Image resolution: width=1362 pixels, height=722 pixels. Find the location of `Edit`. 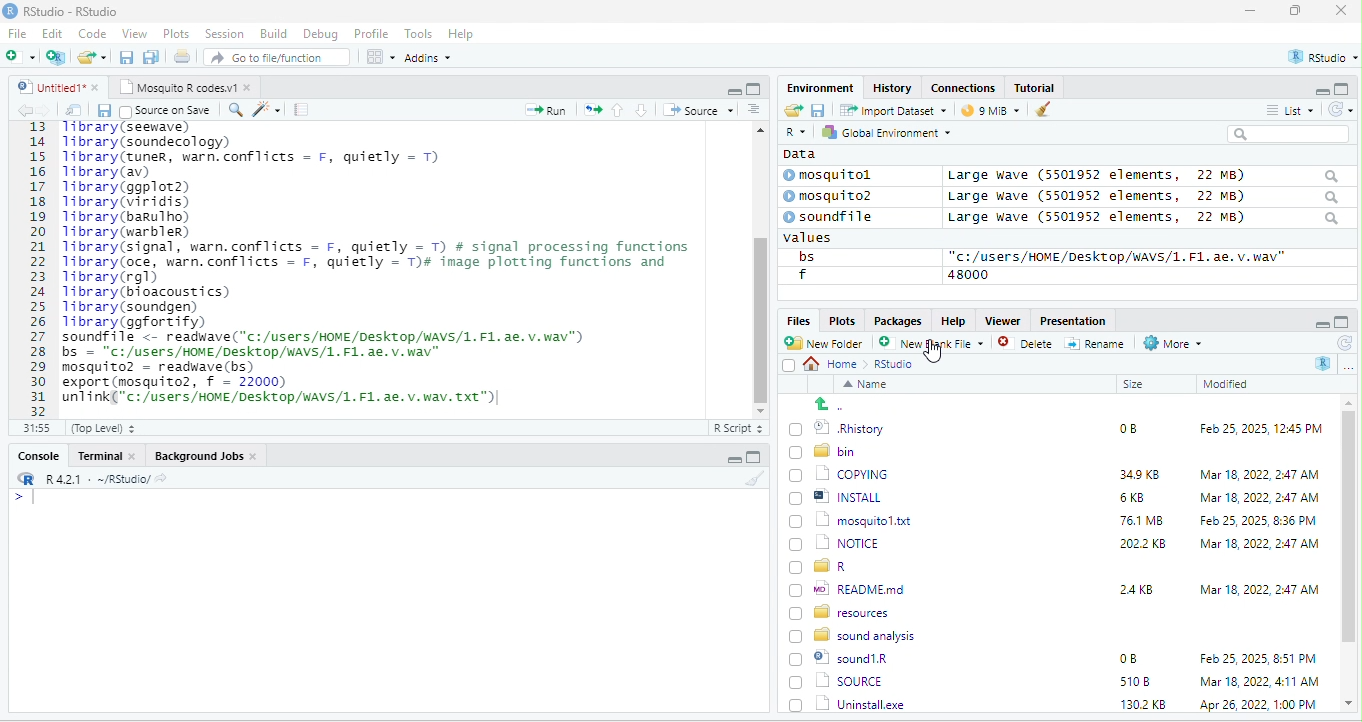

Edit is located at coordinates (54, 33).